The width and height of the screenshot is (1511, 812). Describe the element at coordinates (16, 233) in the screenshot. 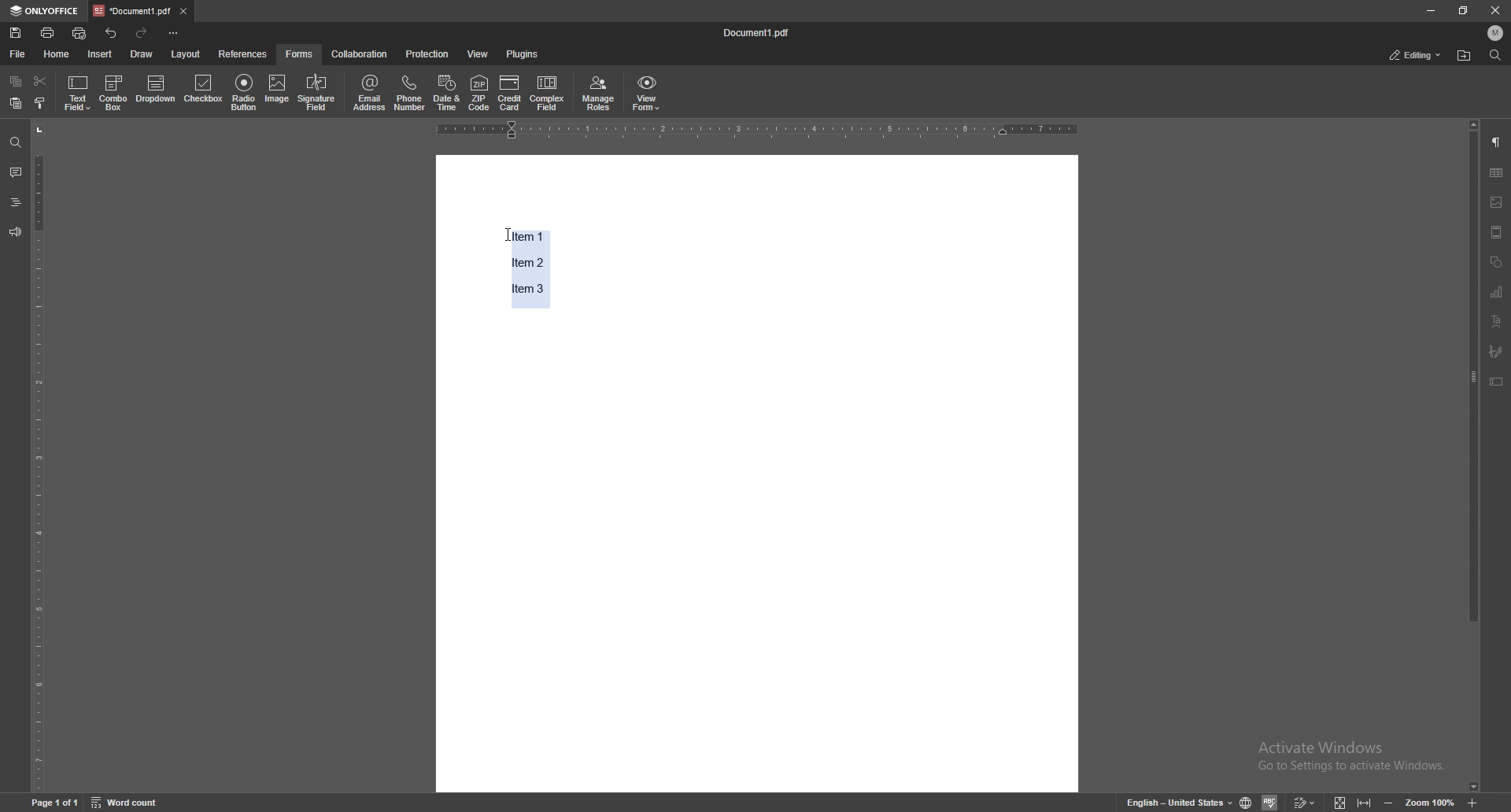

I see `feedback` at that location.